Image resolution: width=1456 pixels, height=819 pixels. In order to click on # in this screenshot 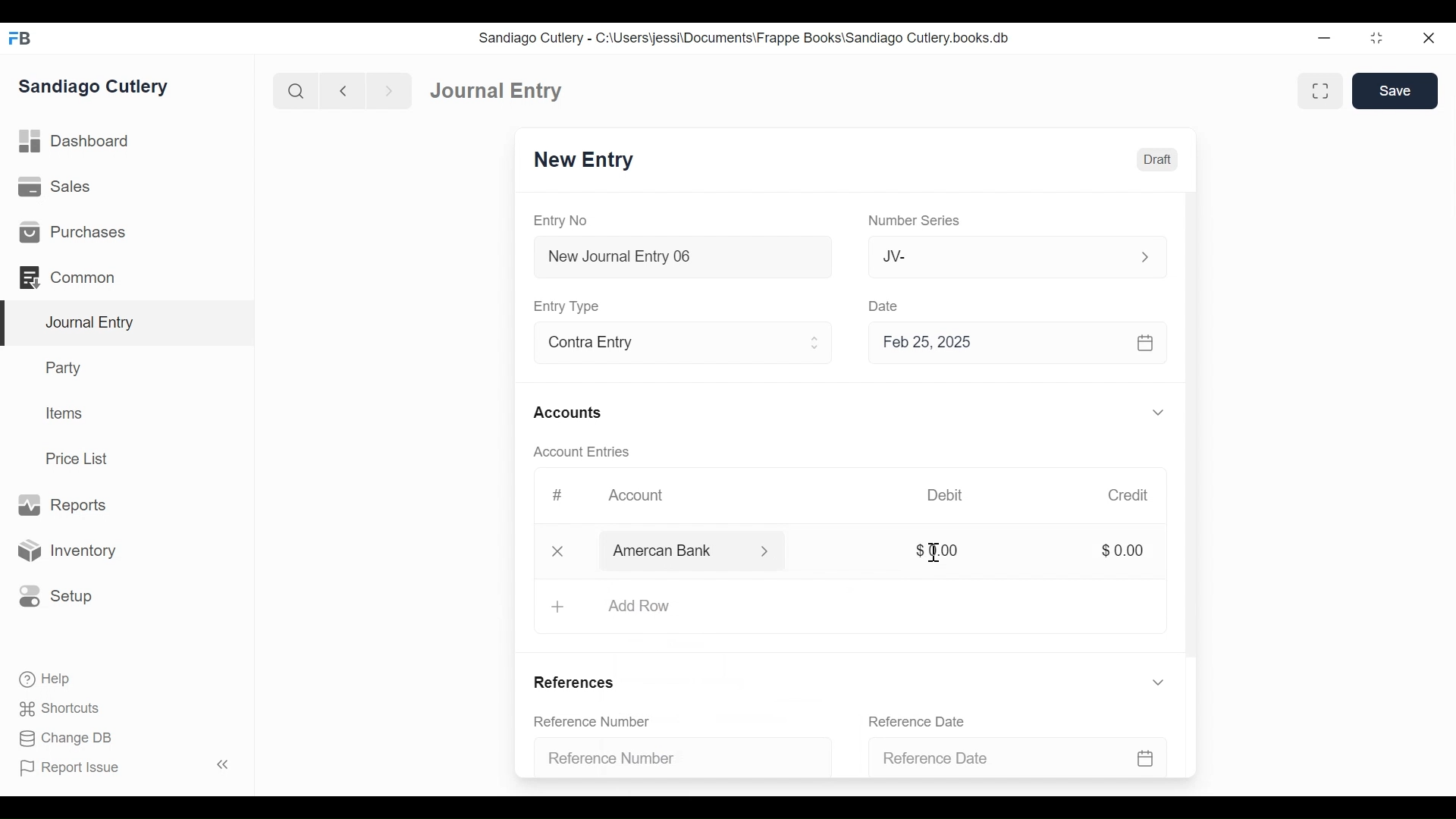, I will do `click(557, 495)`.